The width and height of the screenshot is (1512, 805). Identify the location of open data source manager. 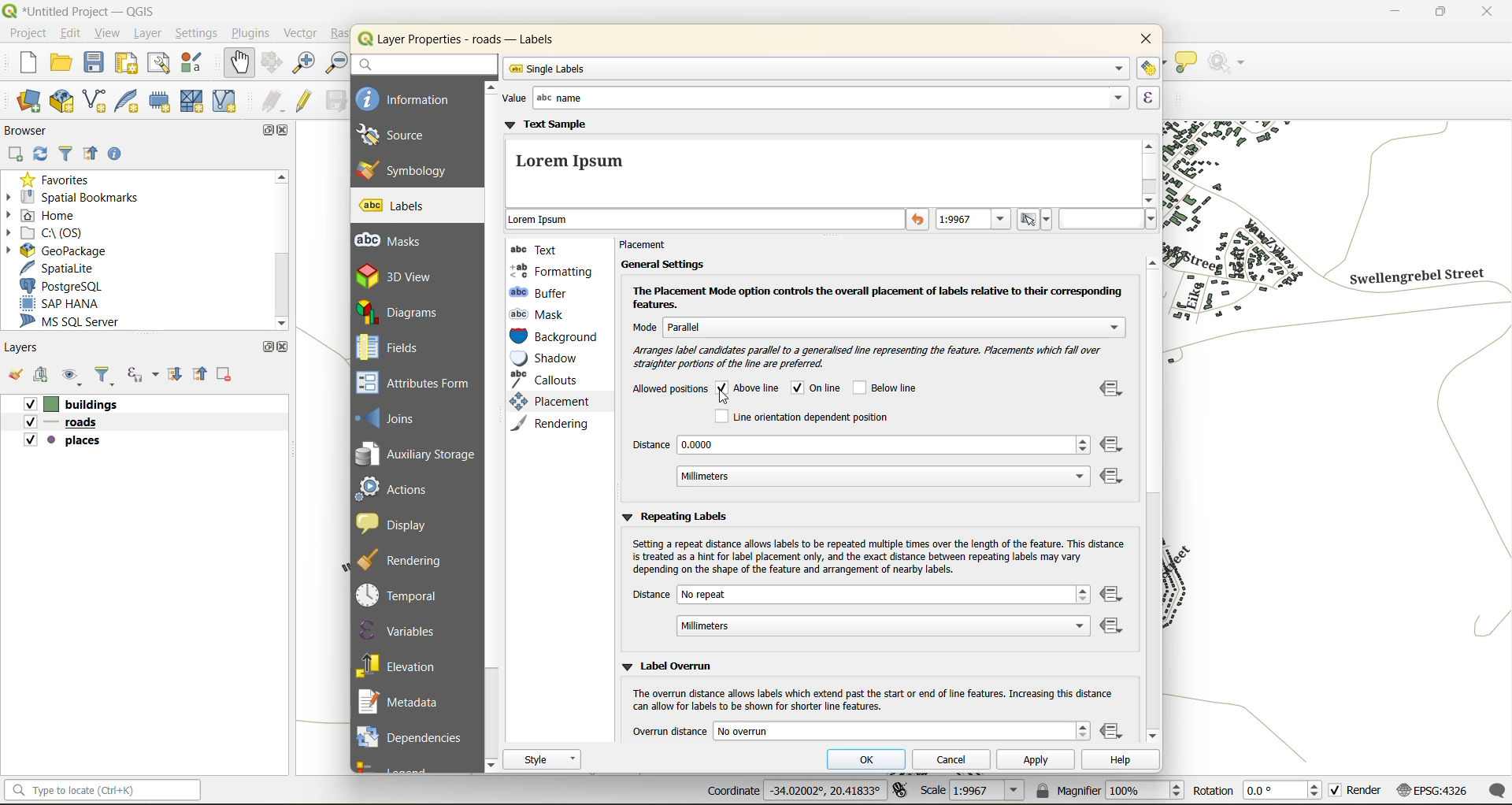
(24, 103).